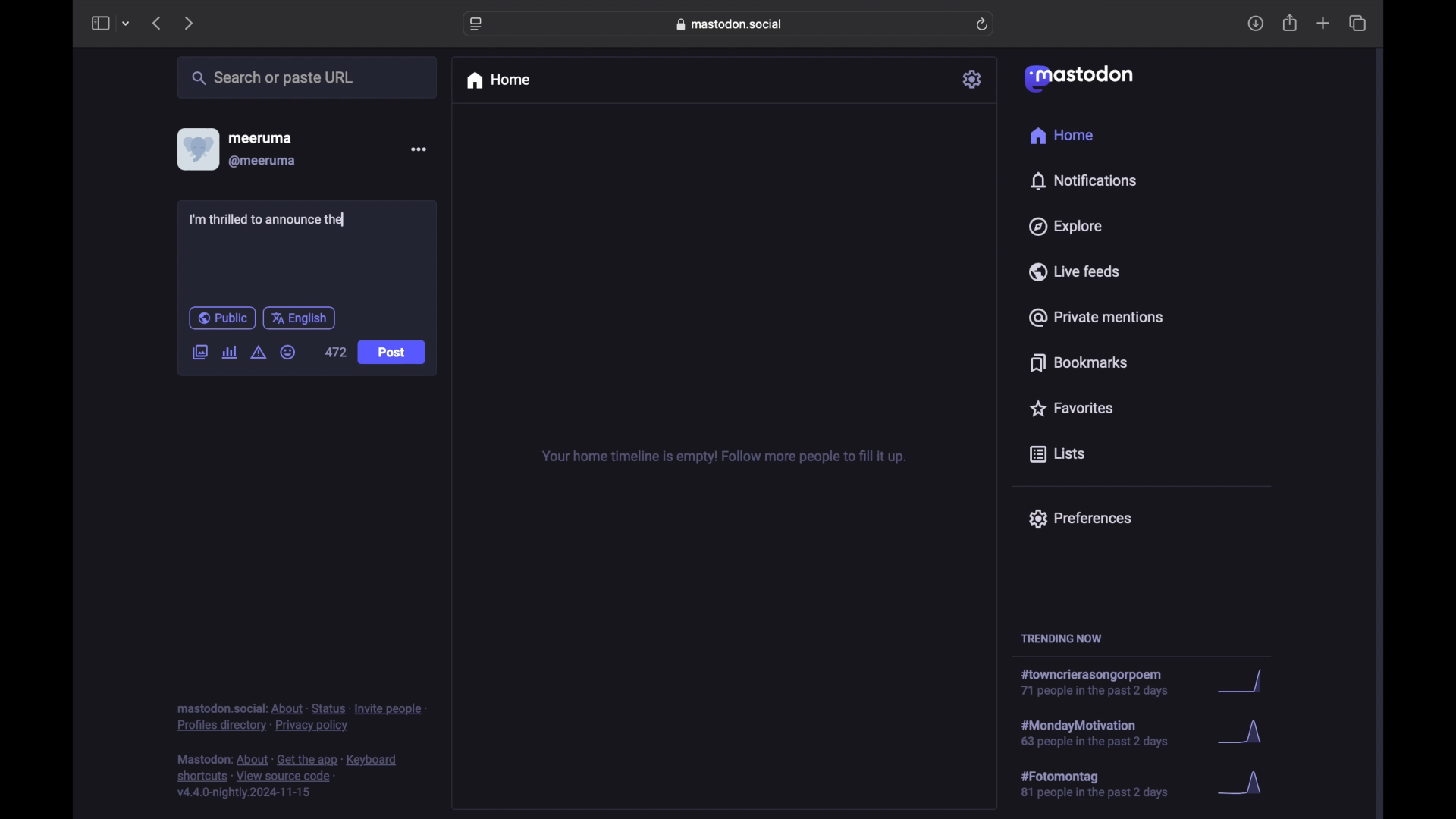  I want to click on hashtag trend, so click(1105, 783).